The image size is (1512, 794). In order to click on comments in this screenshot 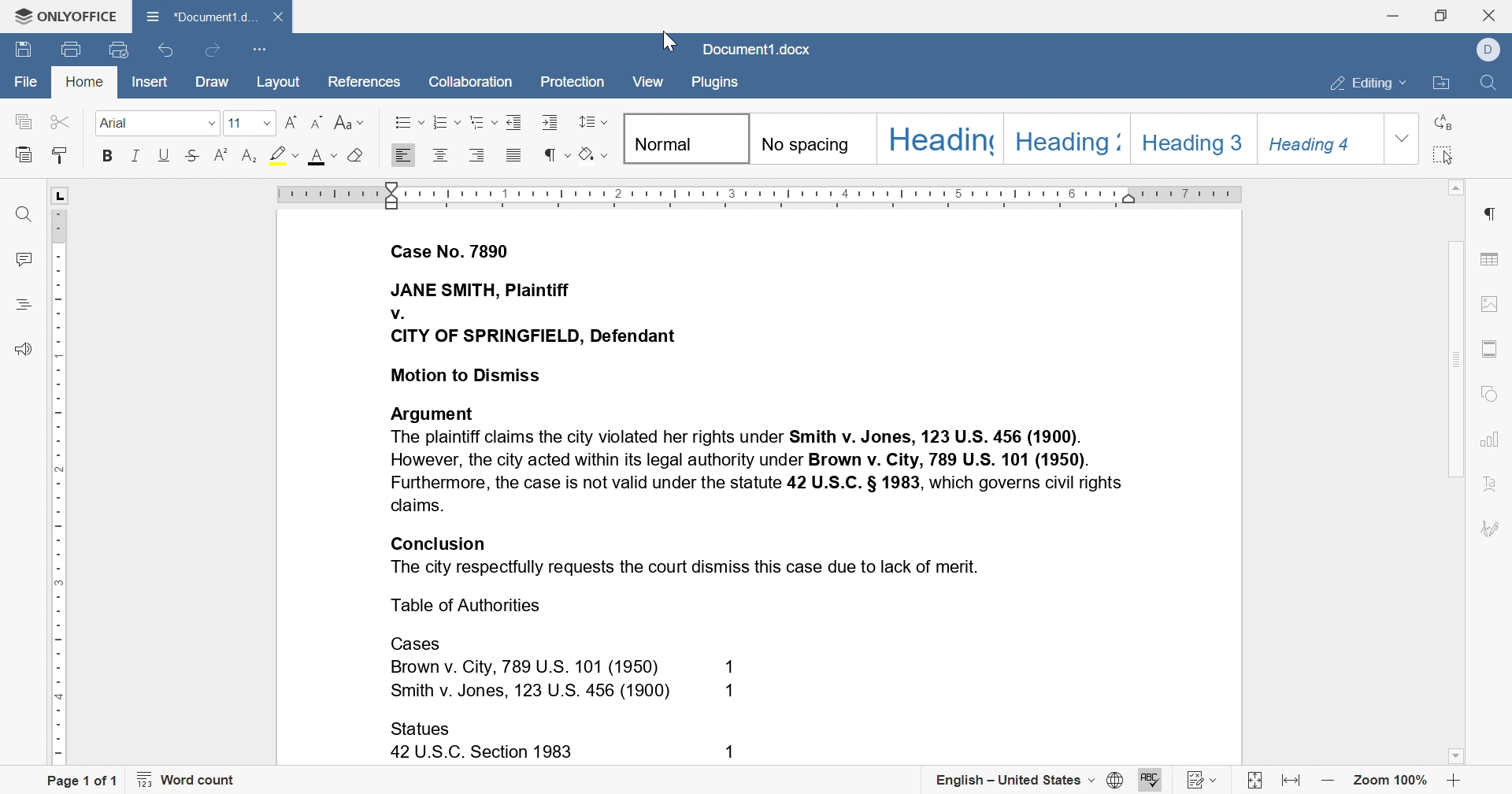, I will do `click(22, 259)`.